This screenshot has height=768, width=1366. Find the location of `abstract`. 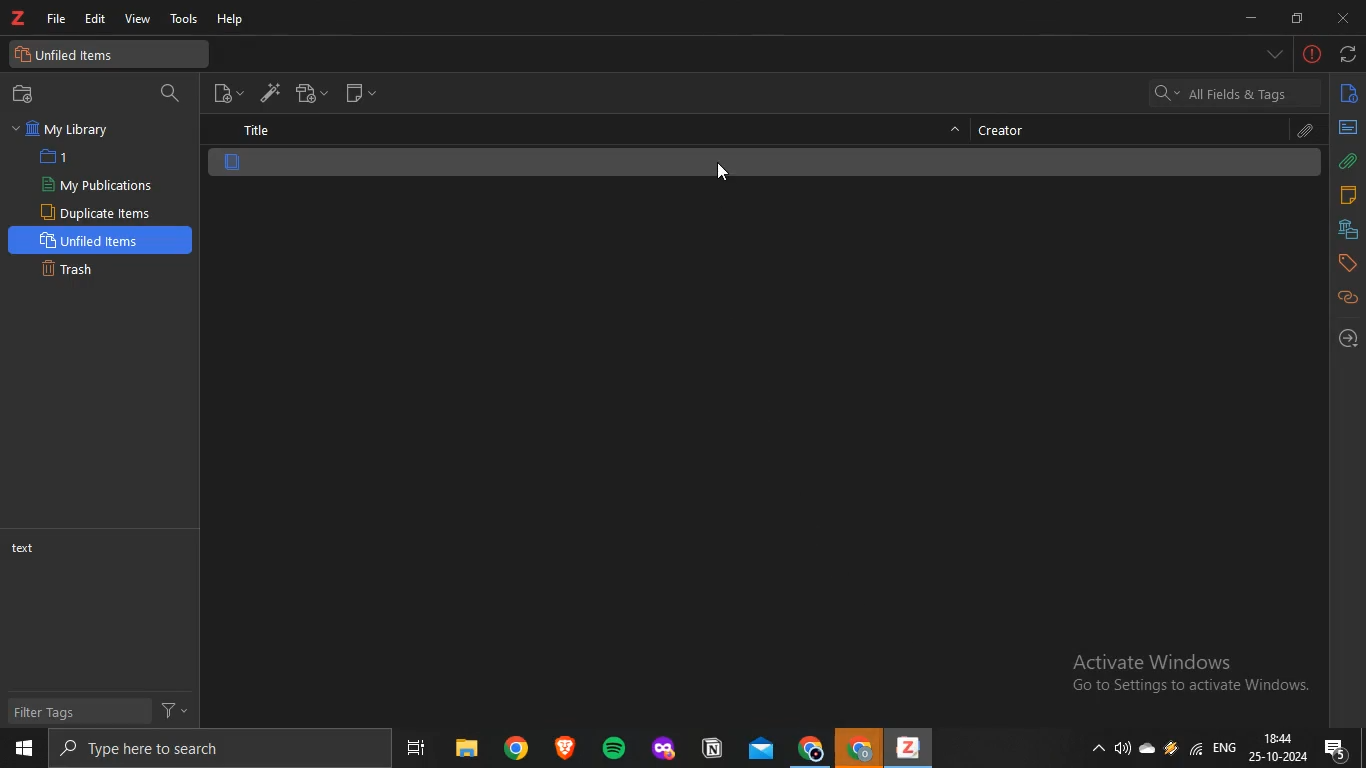

abstract is located at coordinates (1347, 127).